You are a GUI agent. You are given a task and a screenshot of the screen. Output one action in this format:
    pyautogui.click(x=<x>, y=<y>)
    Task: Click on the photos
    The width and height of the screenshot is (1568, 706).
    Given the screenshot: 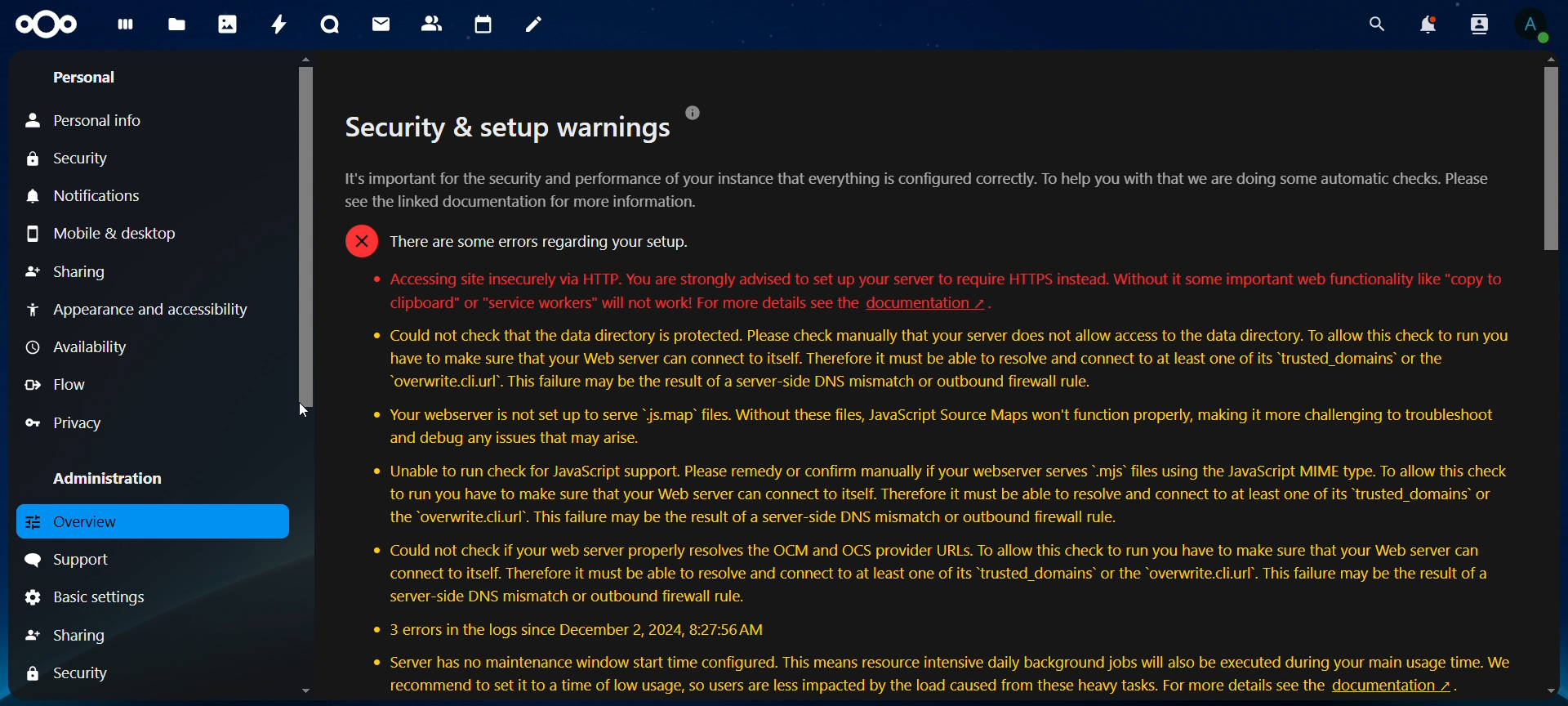 What is the action you would take?
    pyautogui.click(x=228, y=24)
    